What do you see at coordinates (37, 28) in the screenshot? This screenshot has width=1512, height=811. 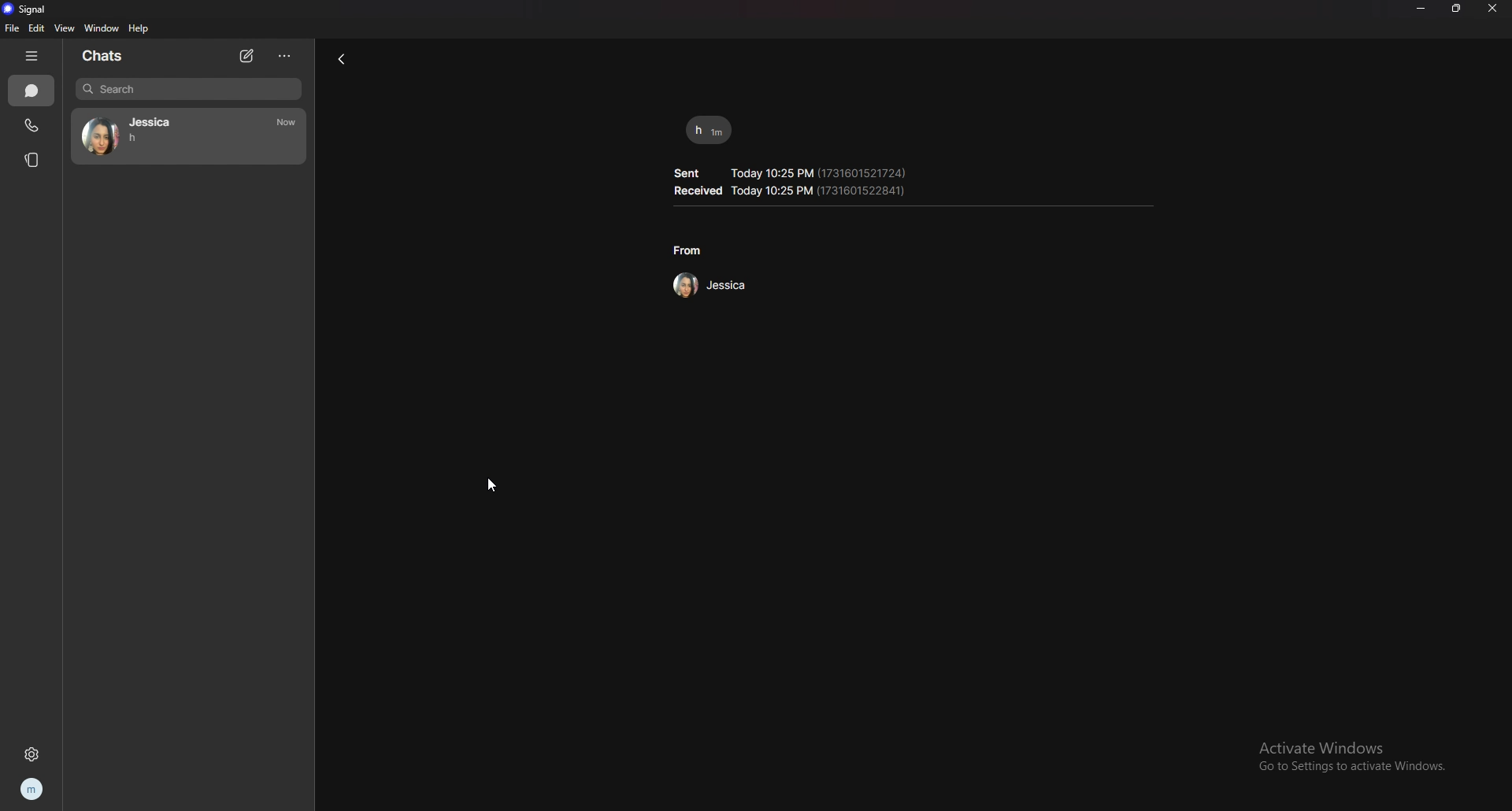 I see `edit` at bounding box center [37, 28].